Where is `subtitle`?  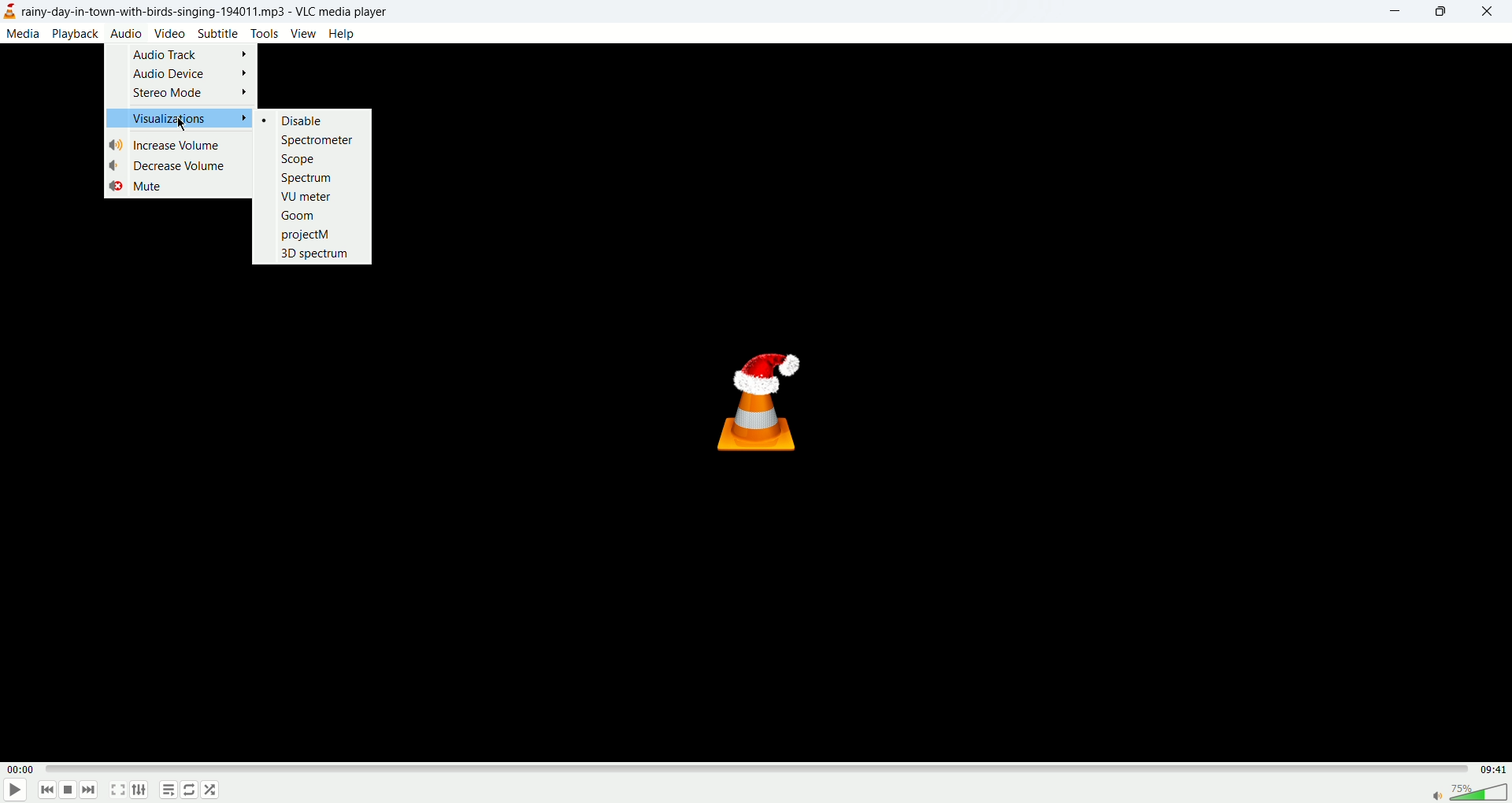
subtitle is located at coordinates (218, 35).